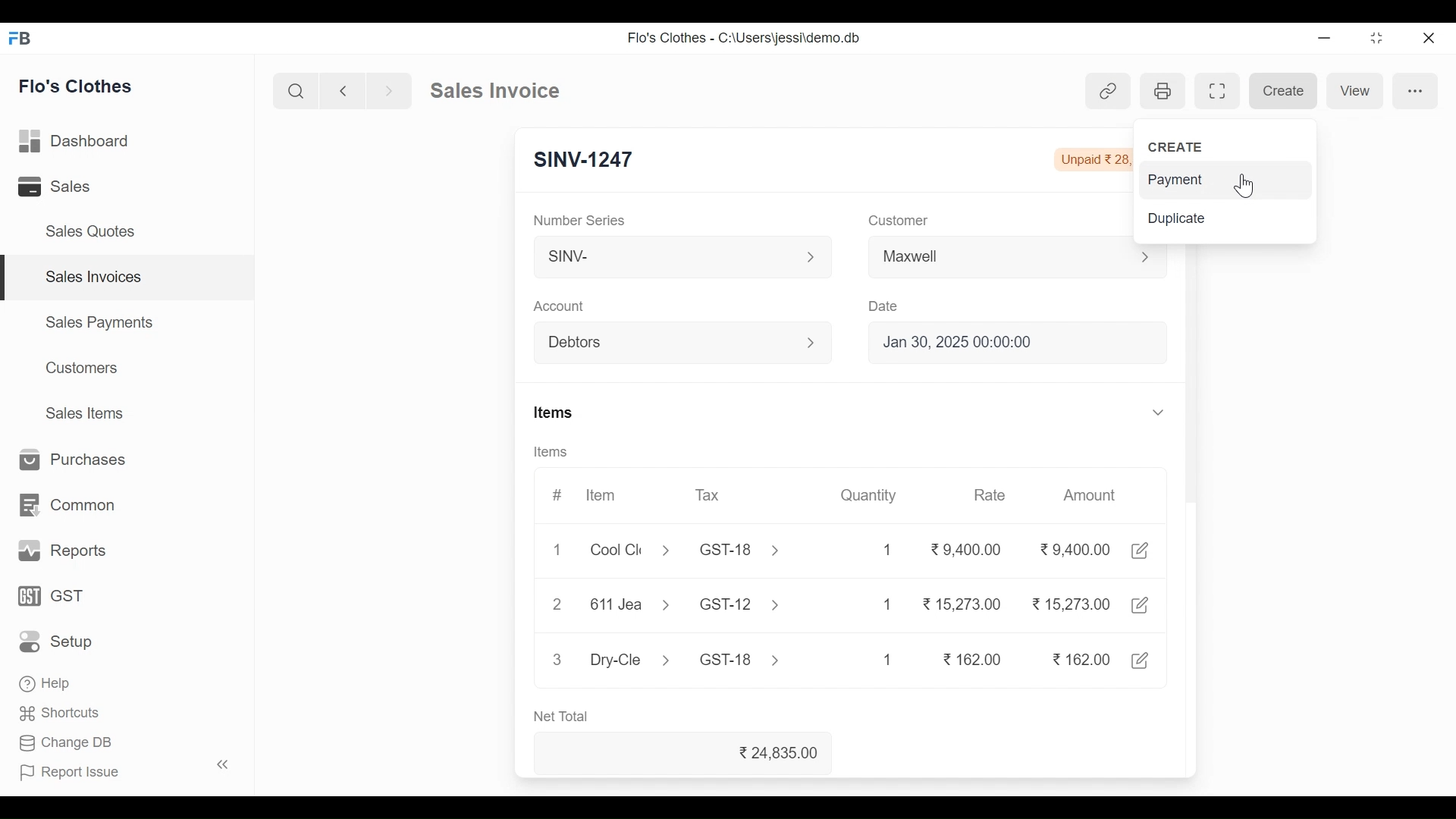 The width and height of the screenshot is (1456, 819). I want to click on Edit, so click(1143, 551).